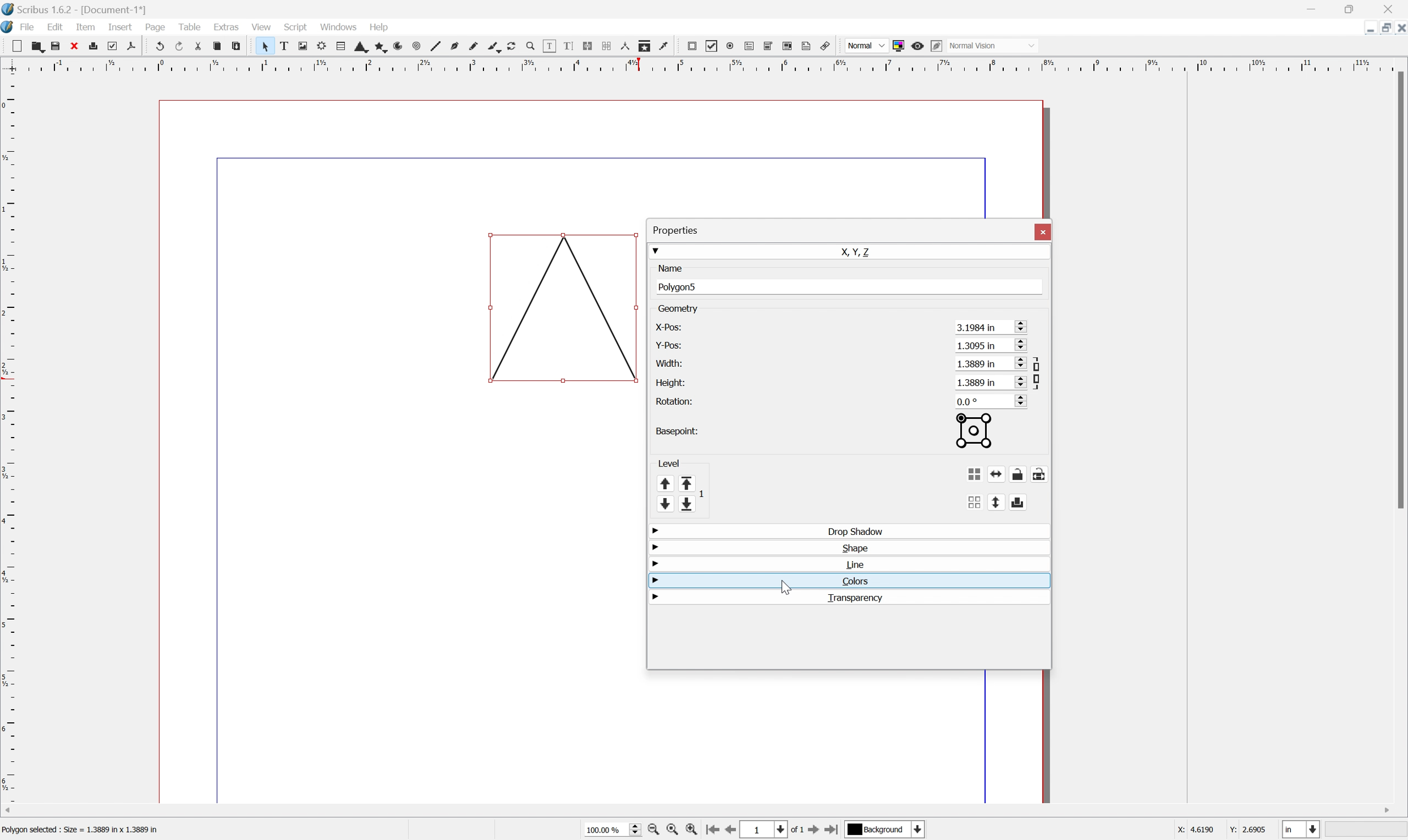 This screenshot has height=840, width=1408. I want to click on Unlink Text frames, so click(605, 46).